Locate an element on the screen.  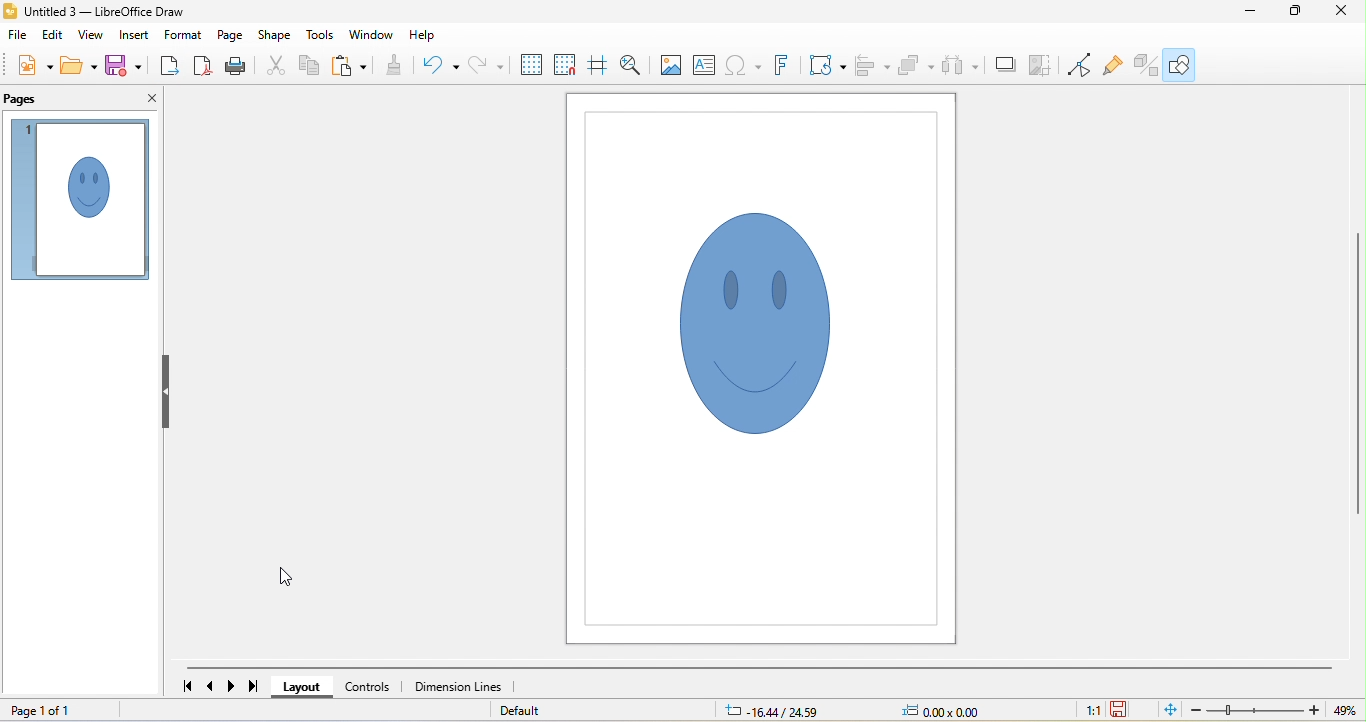
pages is located at coordinates (25, 99).